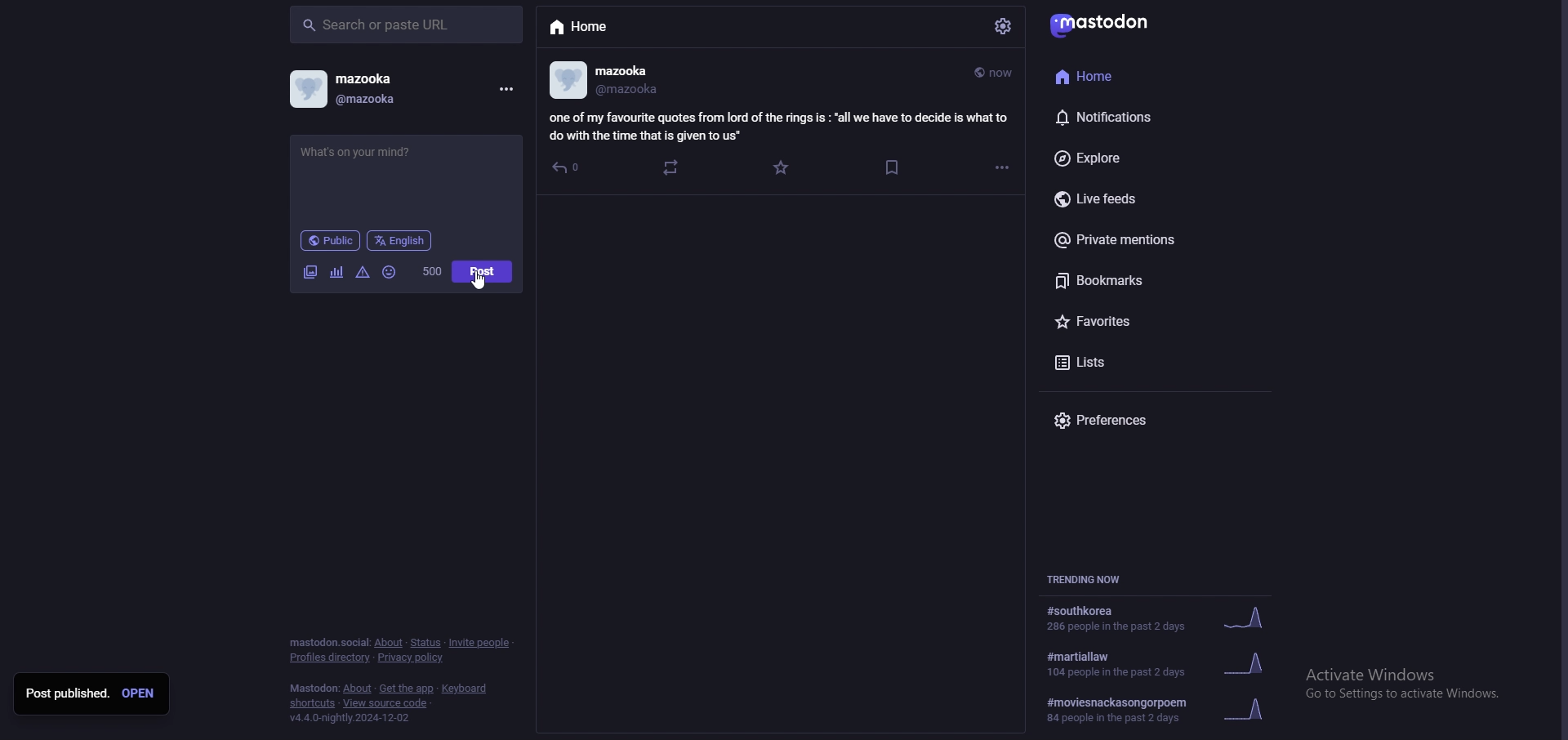 Image resolution: width=1568 pixels, height=740 pixels. I want to click on mastodon, so click(314, 689).